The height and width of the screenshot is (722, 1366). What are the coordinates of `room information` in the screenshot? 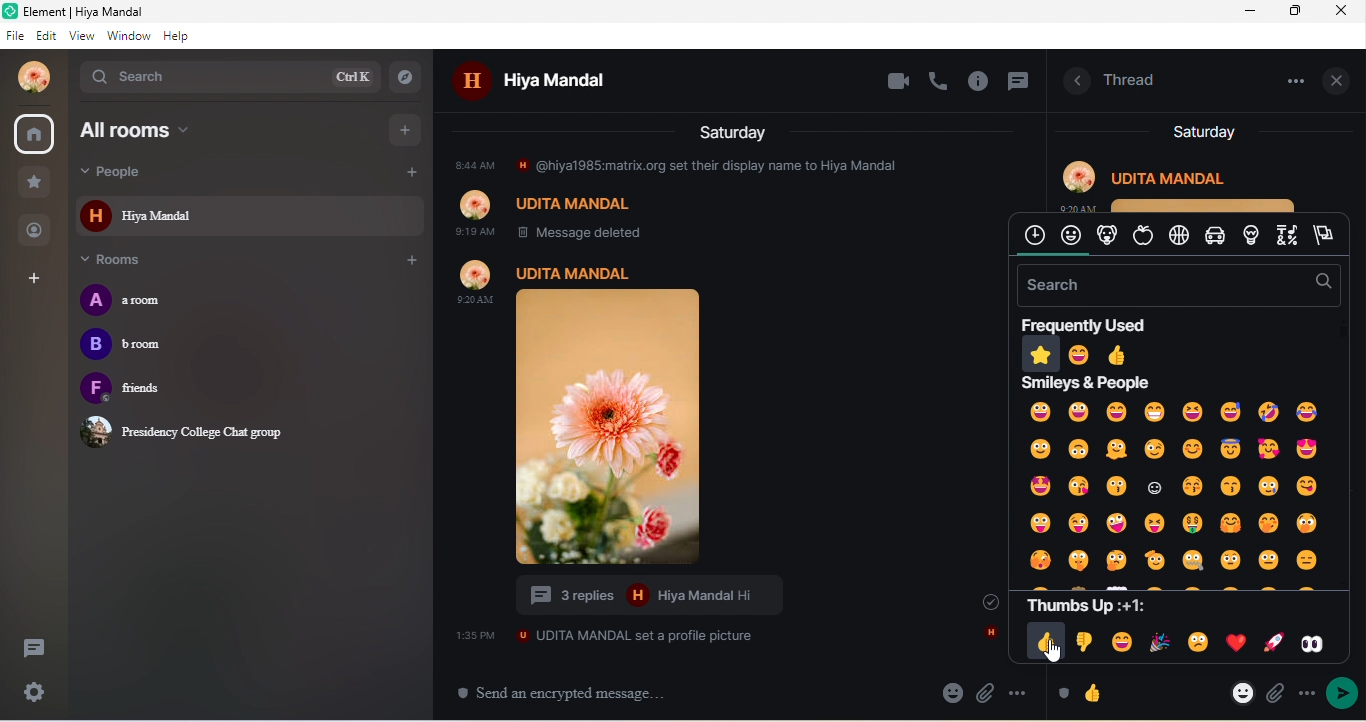 It's located at (1072, 82).